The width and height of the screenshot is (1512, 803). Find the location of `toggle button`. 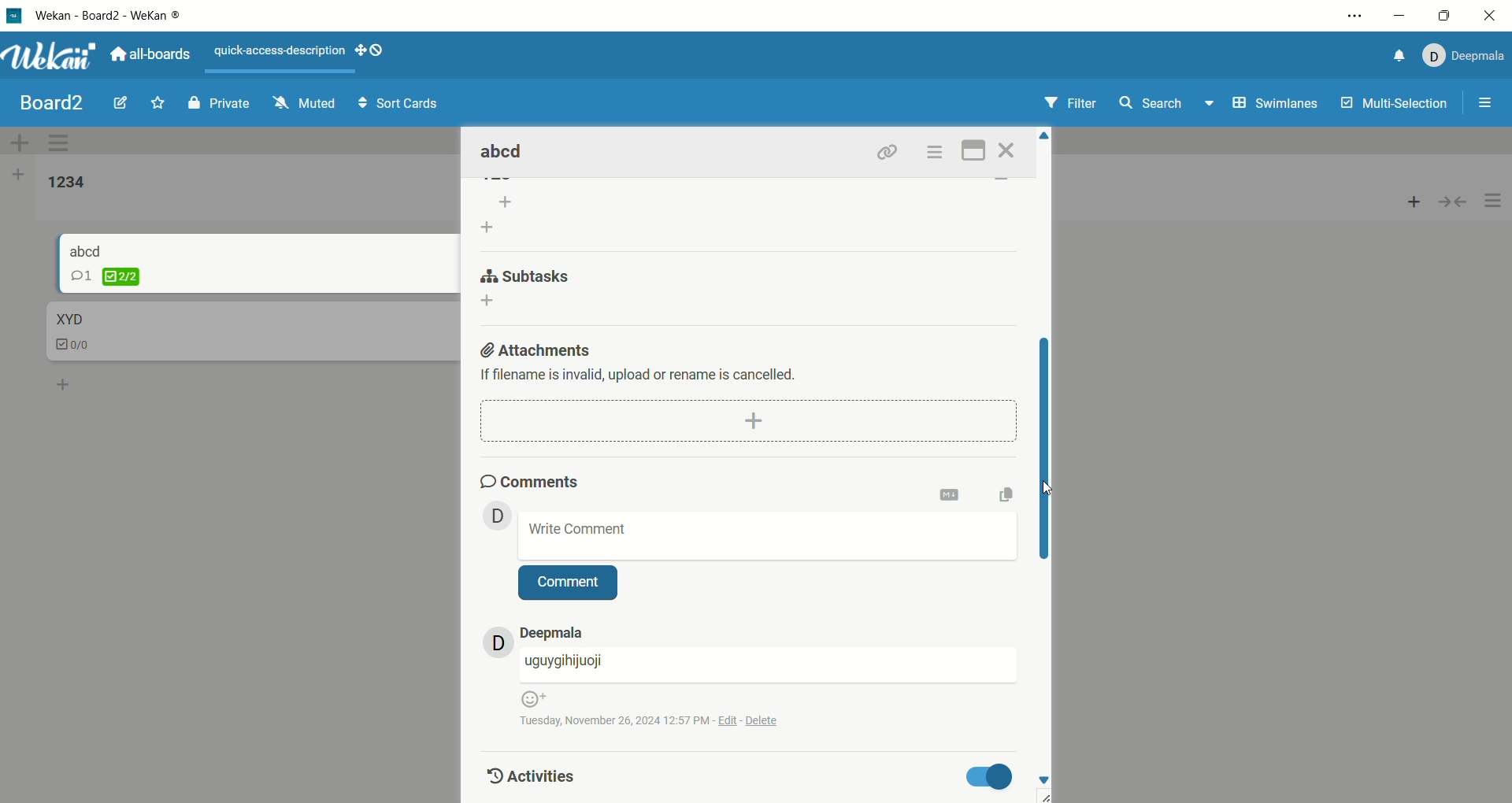

toggle button is located at coordinates (991, 776).